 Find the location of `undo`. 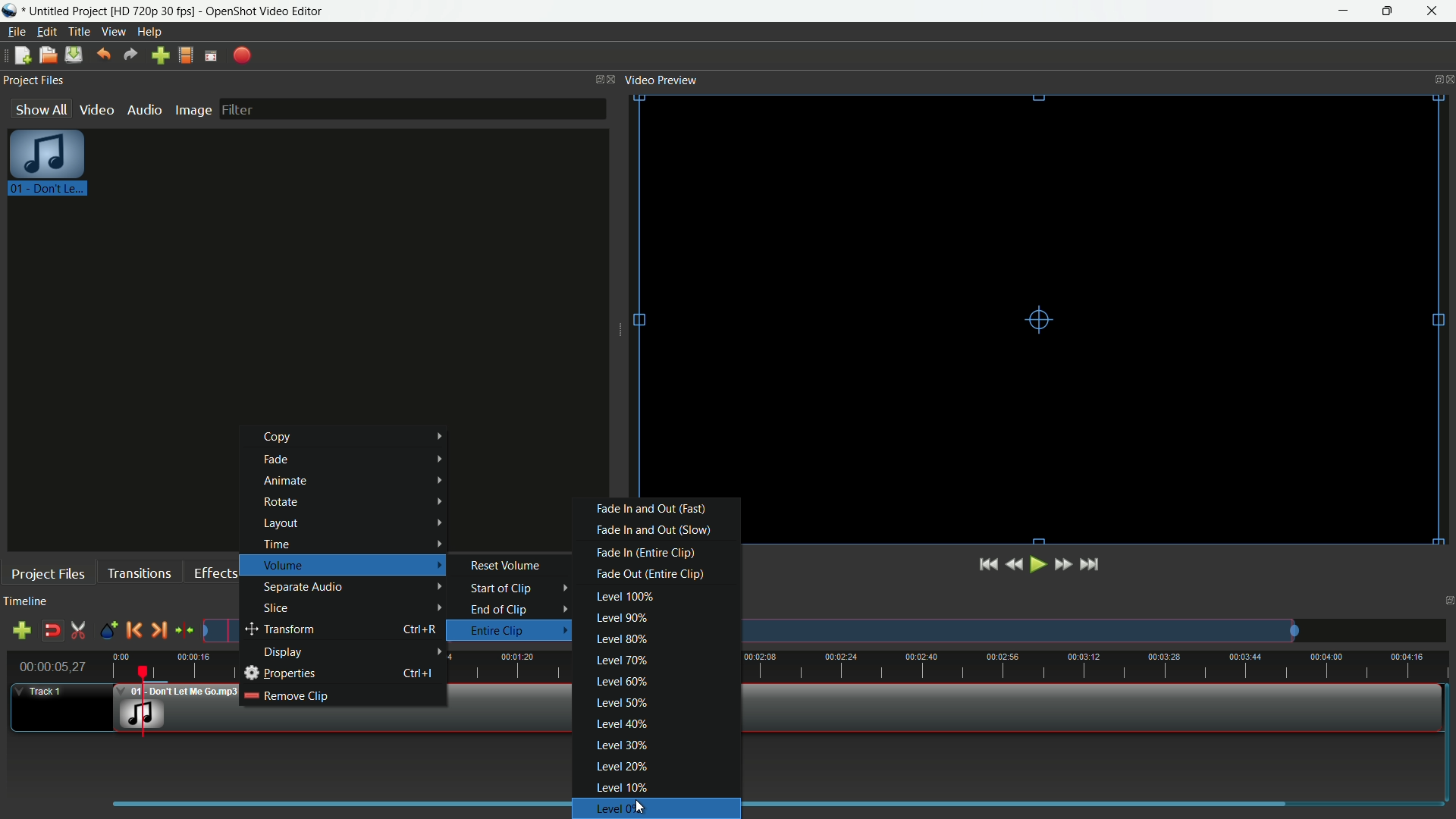

undo is located at coordinates (105, 55).